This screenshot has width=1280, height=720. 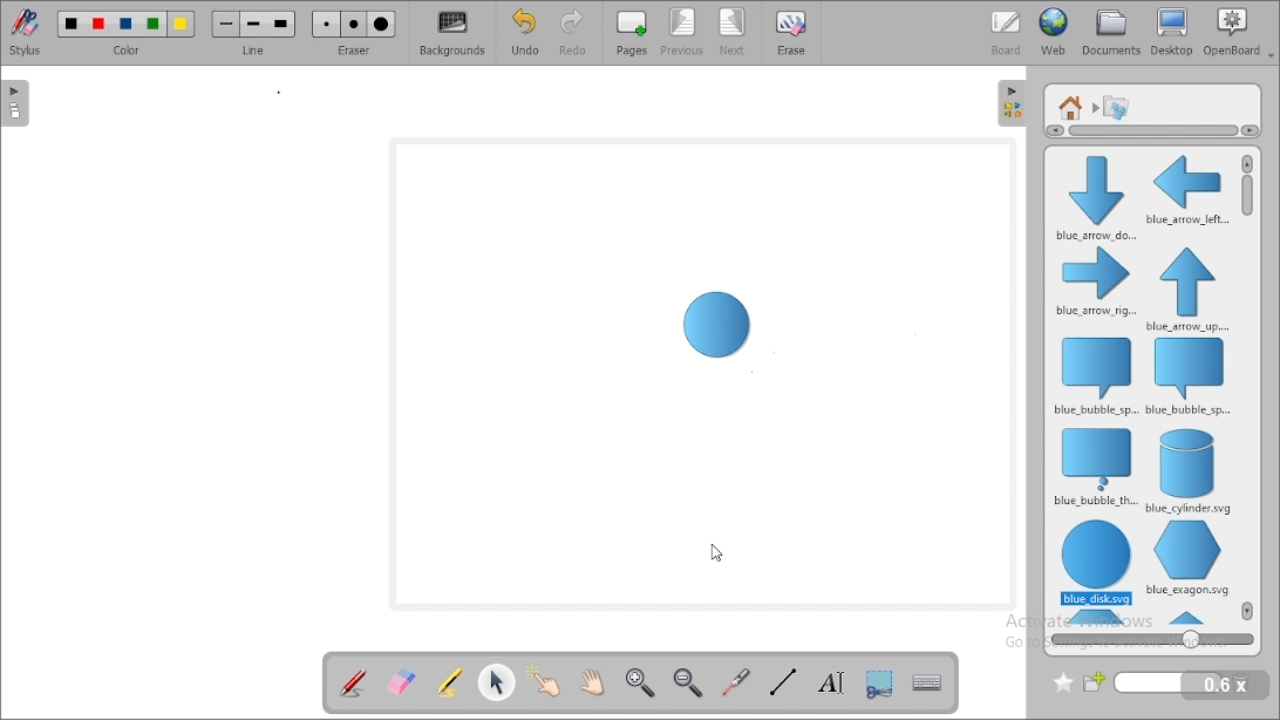 I want to click on shapes, so click(x=1116, y=106).